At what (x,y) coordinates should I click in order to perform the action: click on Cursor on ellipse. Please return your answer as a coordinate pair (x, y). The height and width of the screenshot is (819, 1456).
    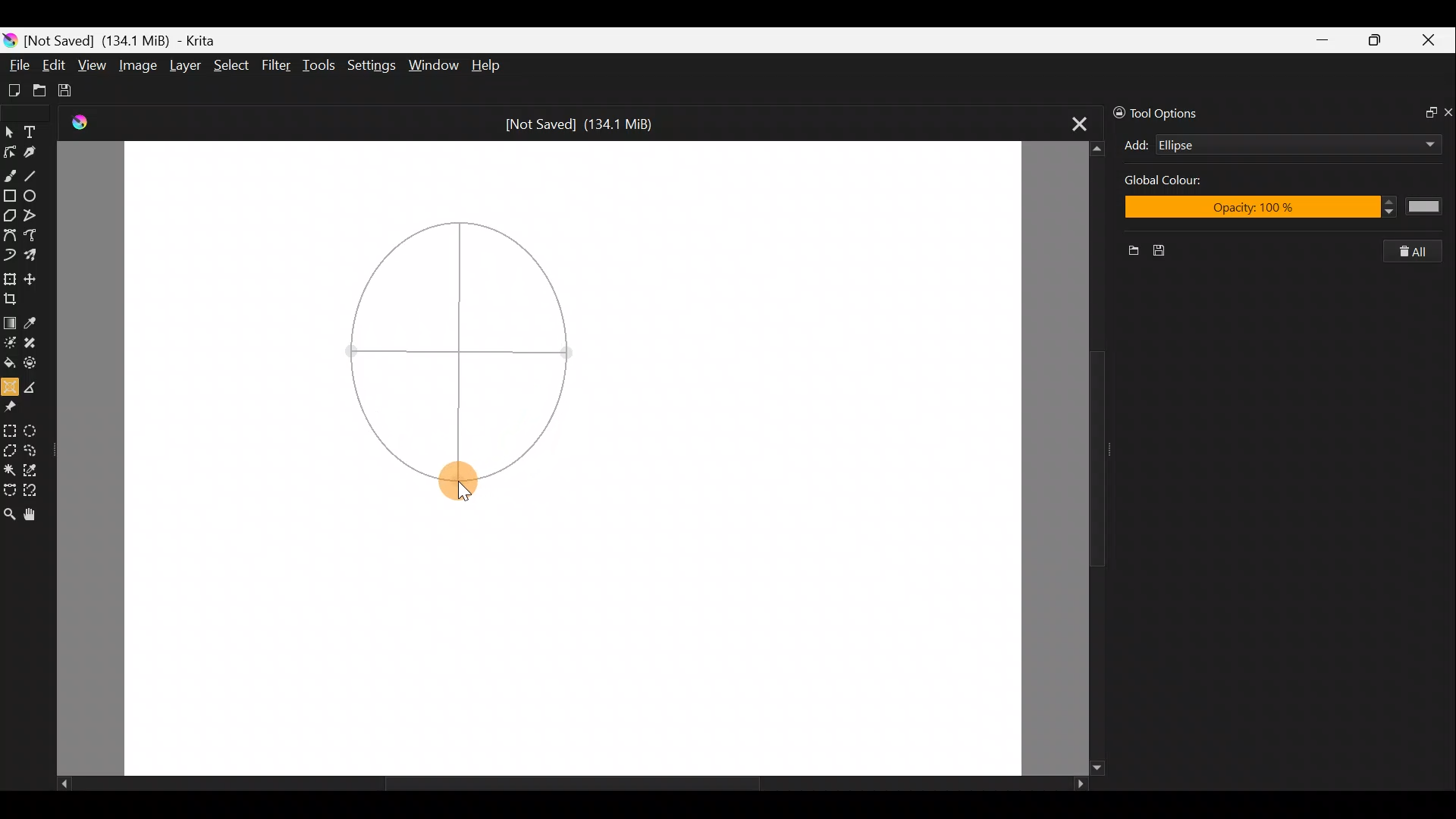
    Looking at the image, I should click on (459, 482).